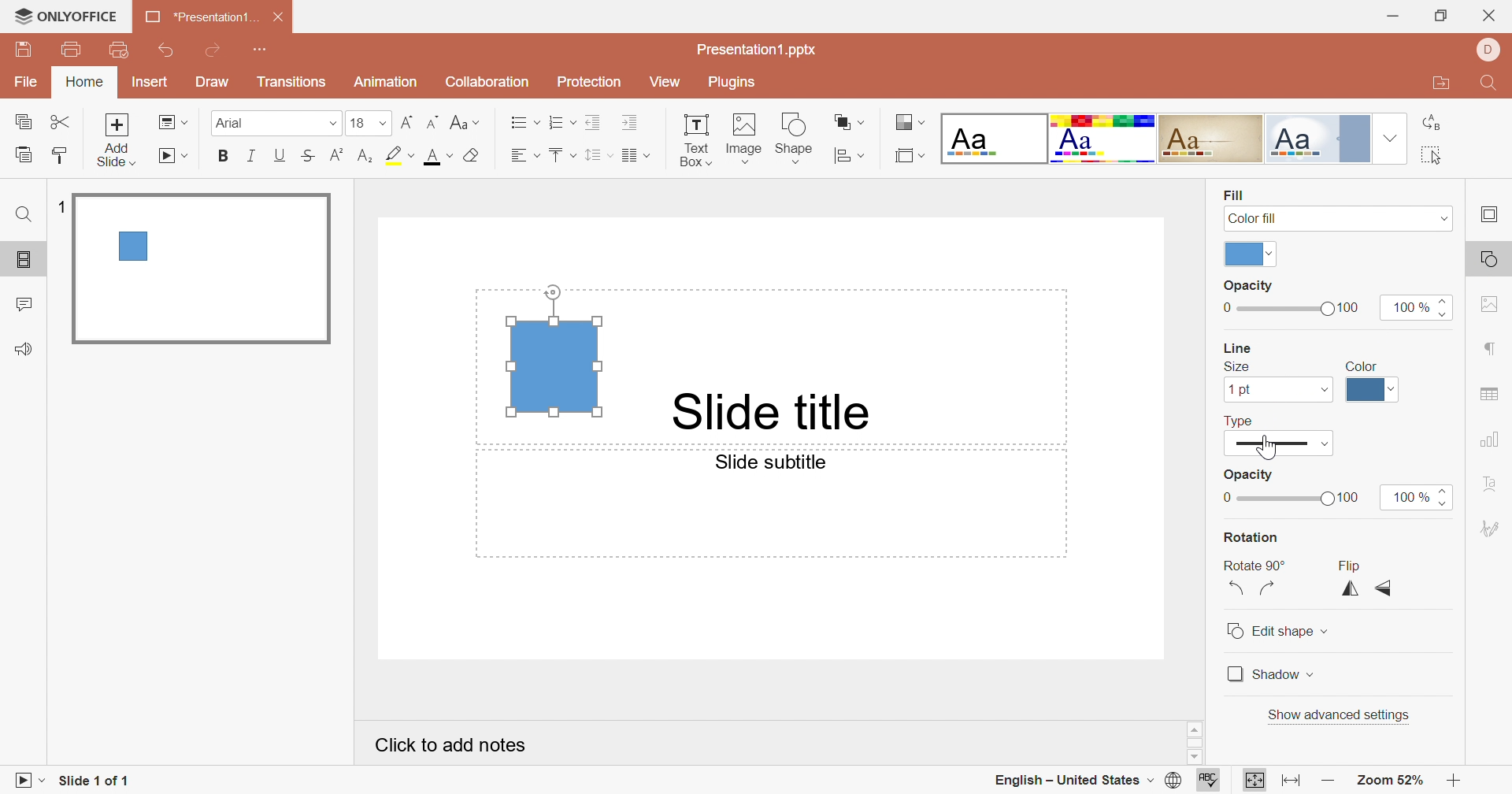 This screenshot has width=1512, height=794. What do you see at coordinates (398, 157) in the screenshot?
I see `Highlight color` at bounding box center [398, 157].